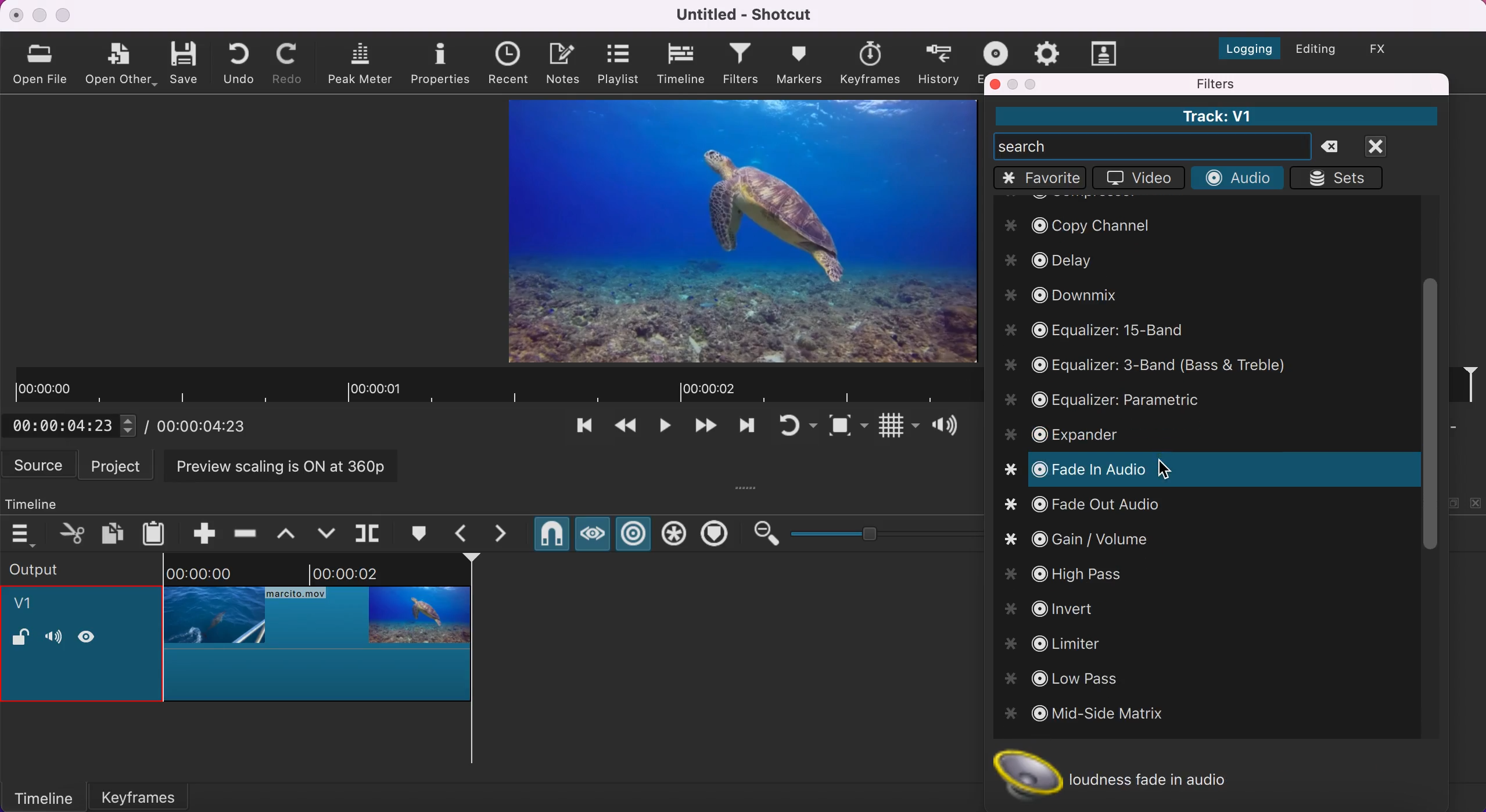  I want to click on copy, so click(114, 532).